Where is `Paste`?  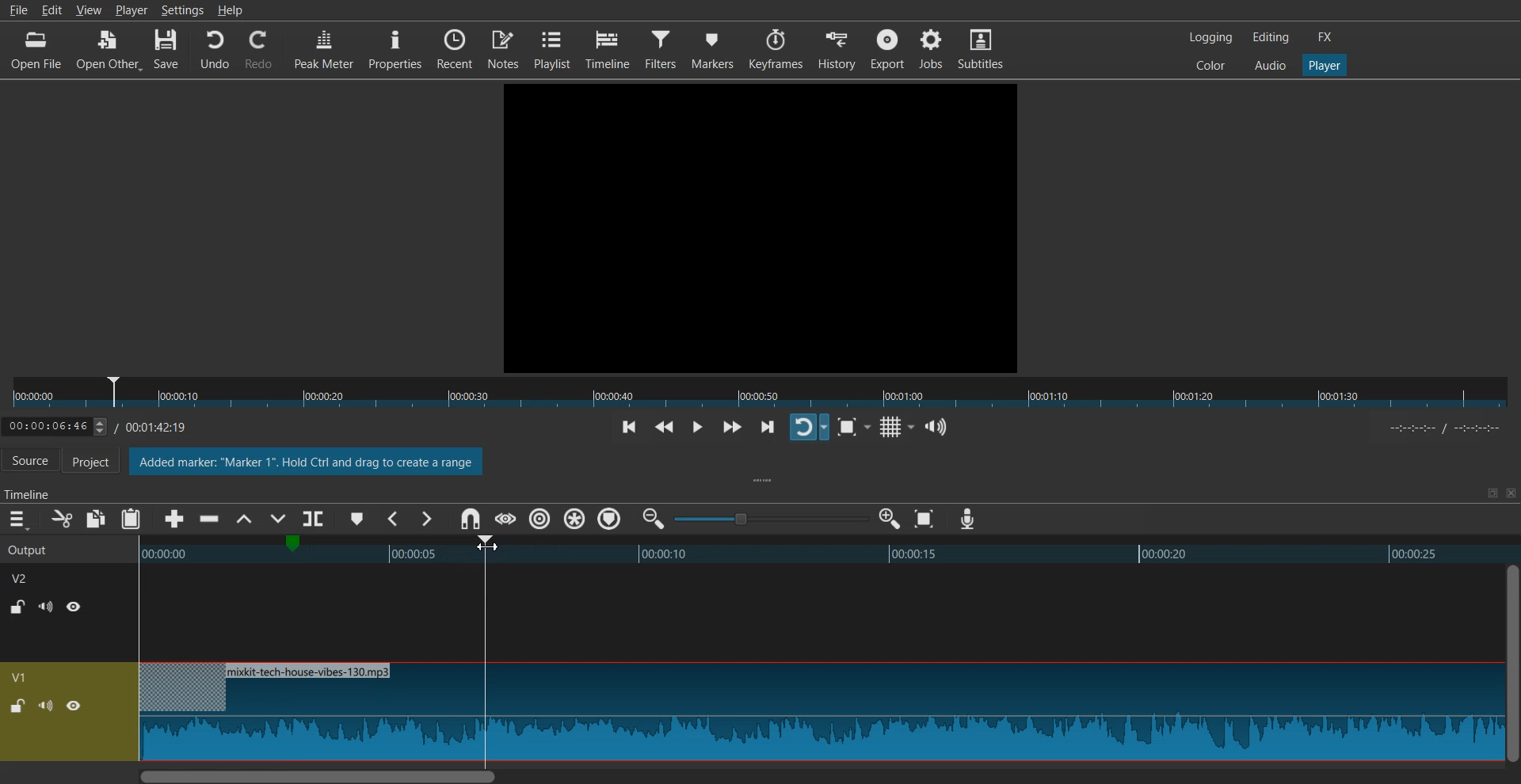 Paste is located at coordinates (131, 519).